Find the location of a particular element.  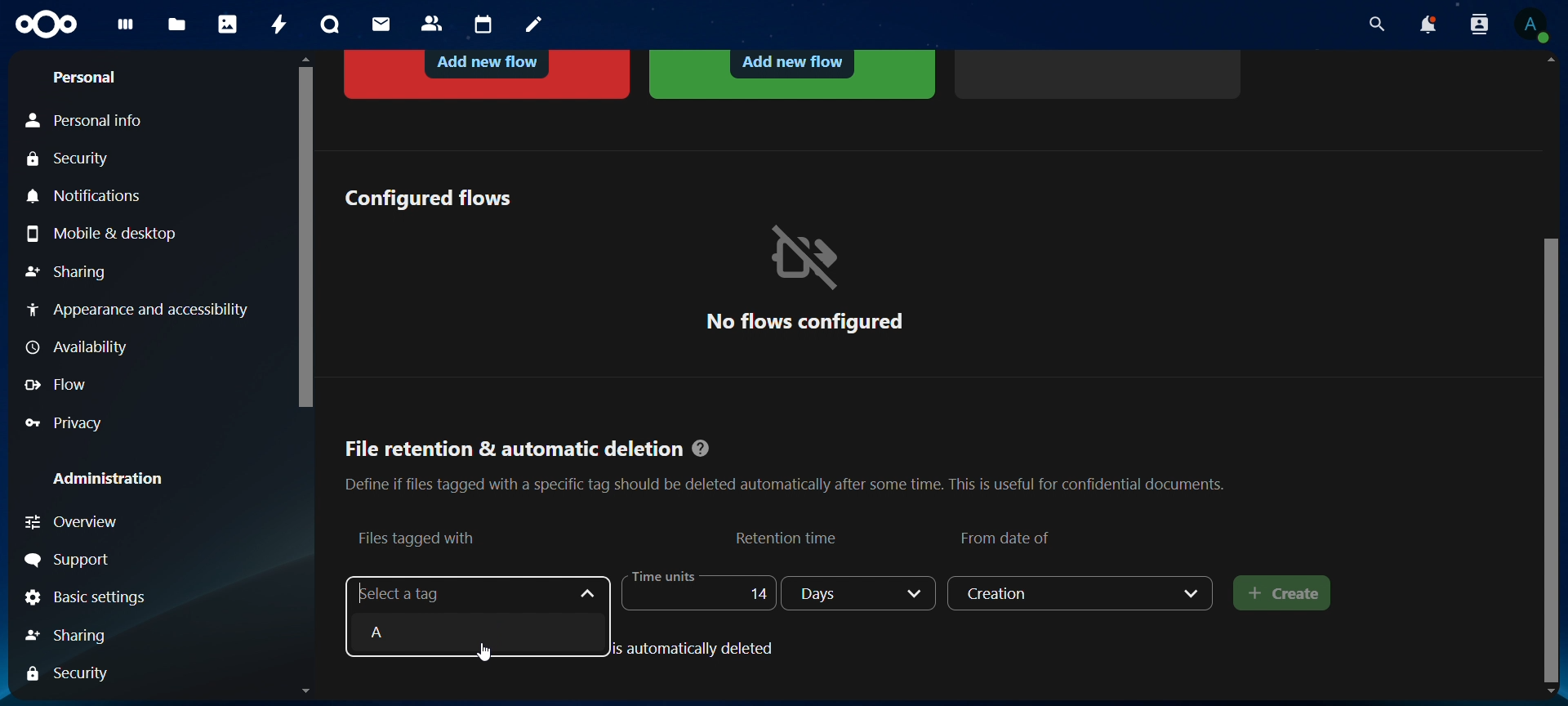

scrollbar is located at coordinates (1554, 457).